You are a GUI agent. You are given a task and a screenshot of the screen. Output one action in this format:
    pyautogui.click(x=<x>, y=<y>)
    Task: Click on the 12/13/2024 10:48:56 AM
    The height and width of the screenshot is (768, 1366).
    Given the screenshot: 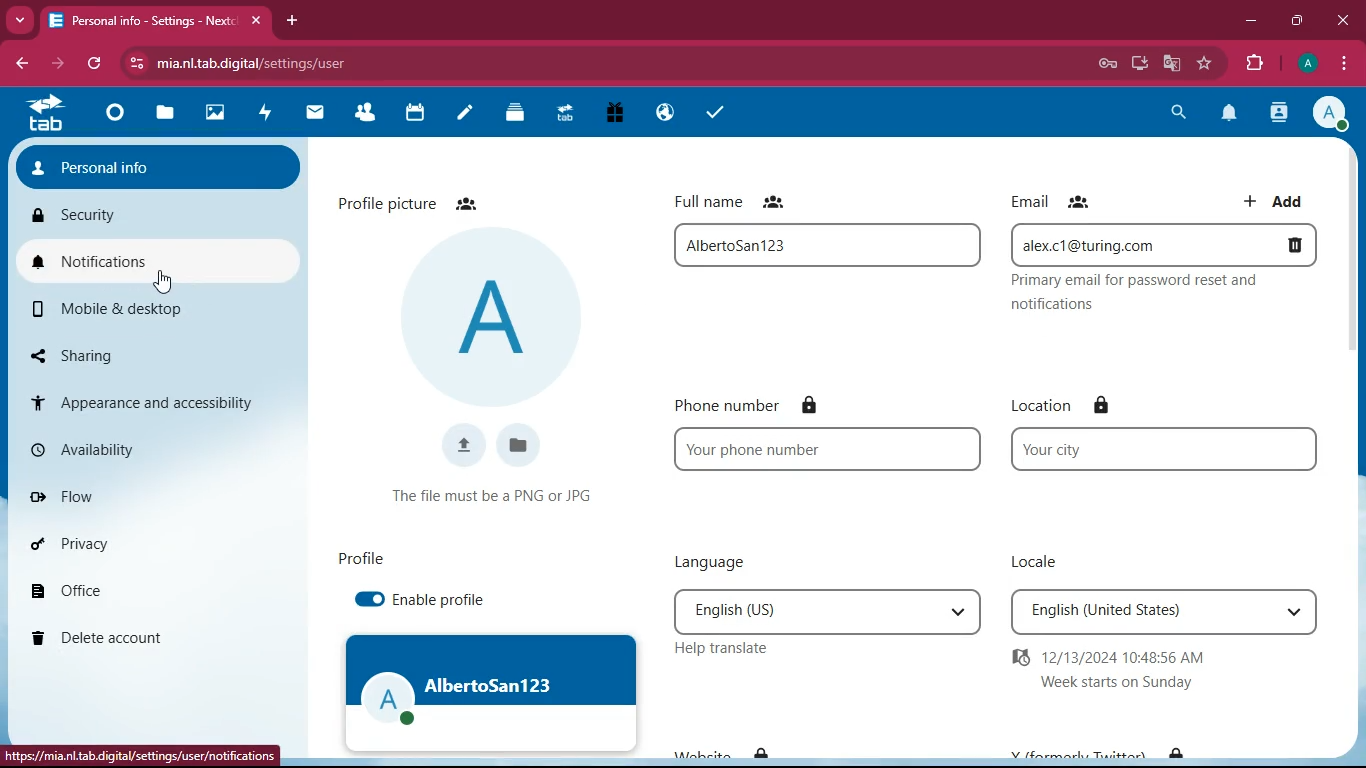 What is the action you would take?
    pyautogui.click(x=1097, y=657)
    